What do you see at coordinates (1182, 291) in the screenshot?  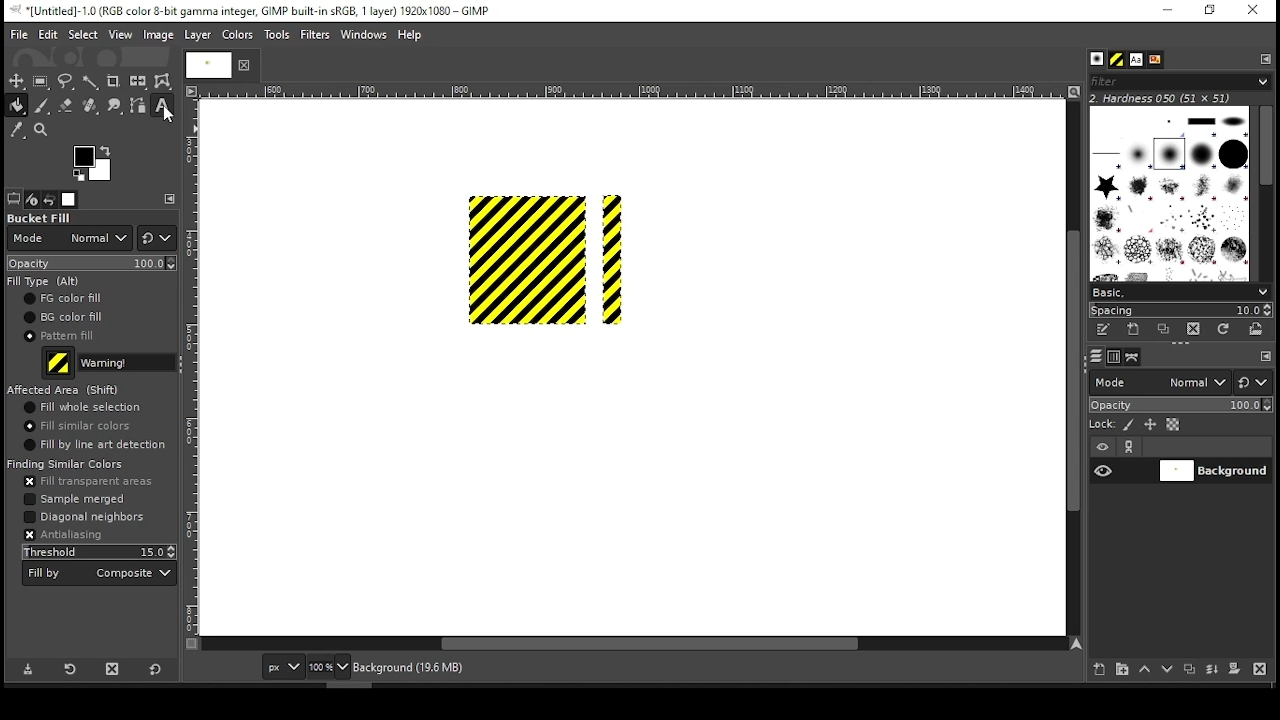 I see `select brush preset` at bounding box center [1182, 291].